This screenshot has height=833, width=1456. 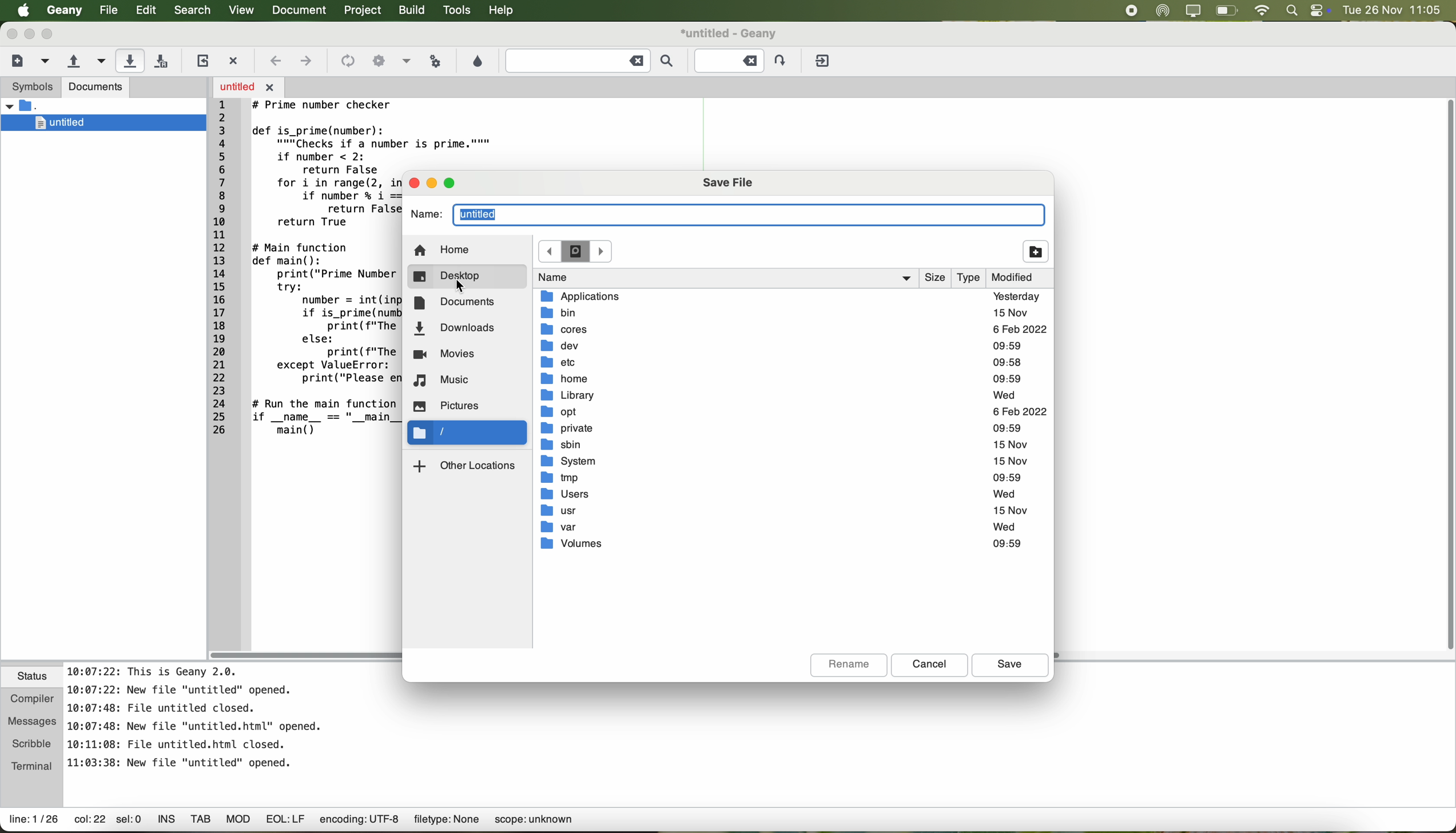 I want to click on open an existing file, so click(x=73, y=61).